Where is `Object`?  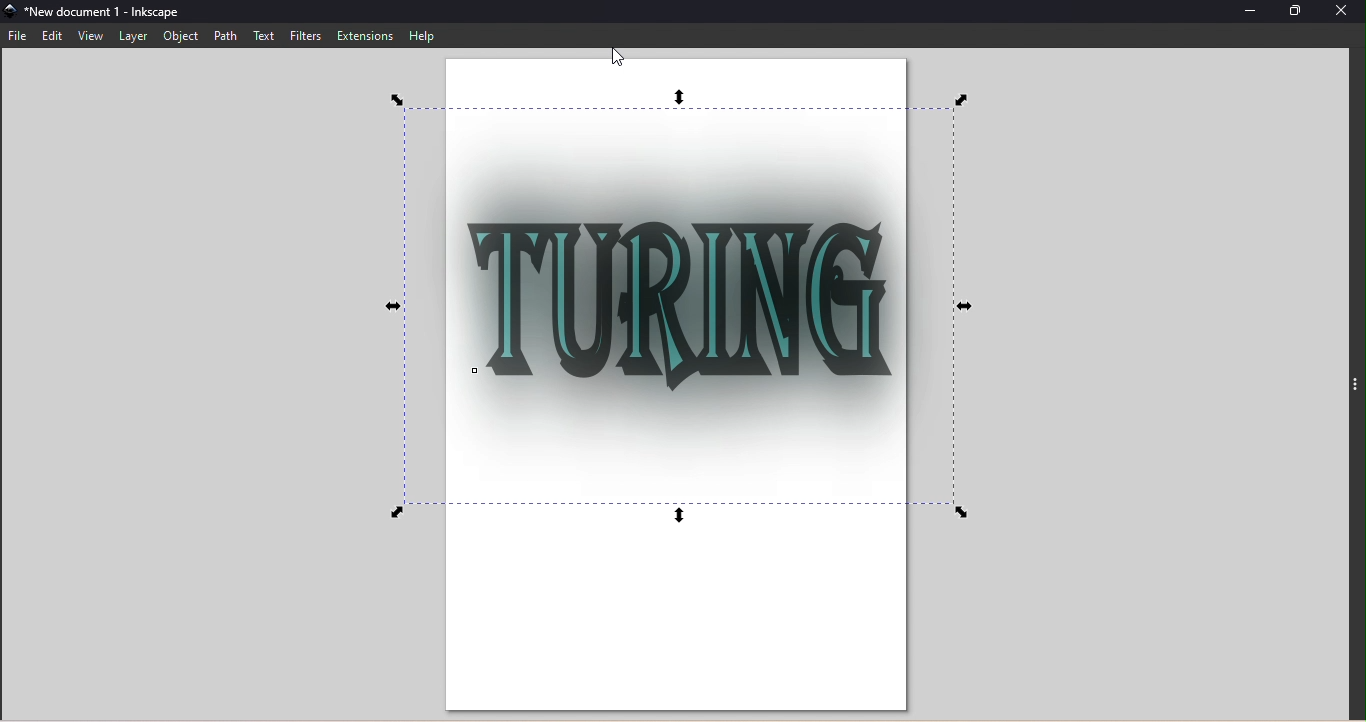 Object is located at coordinates (176, 37).